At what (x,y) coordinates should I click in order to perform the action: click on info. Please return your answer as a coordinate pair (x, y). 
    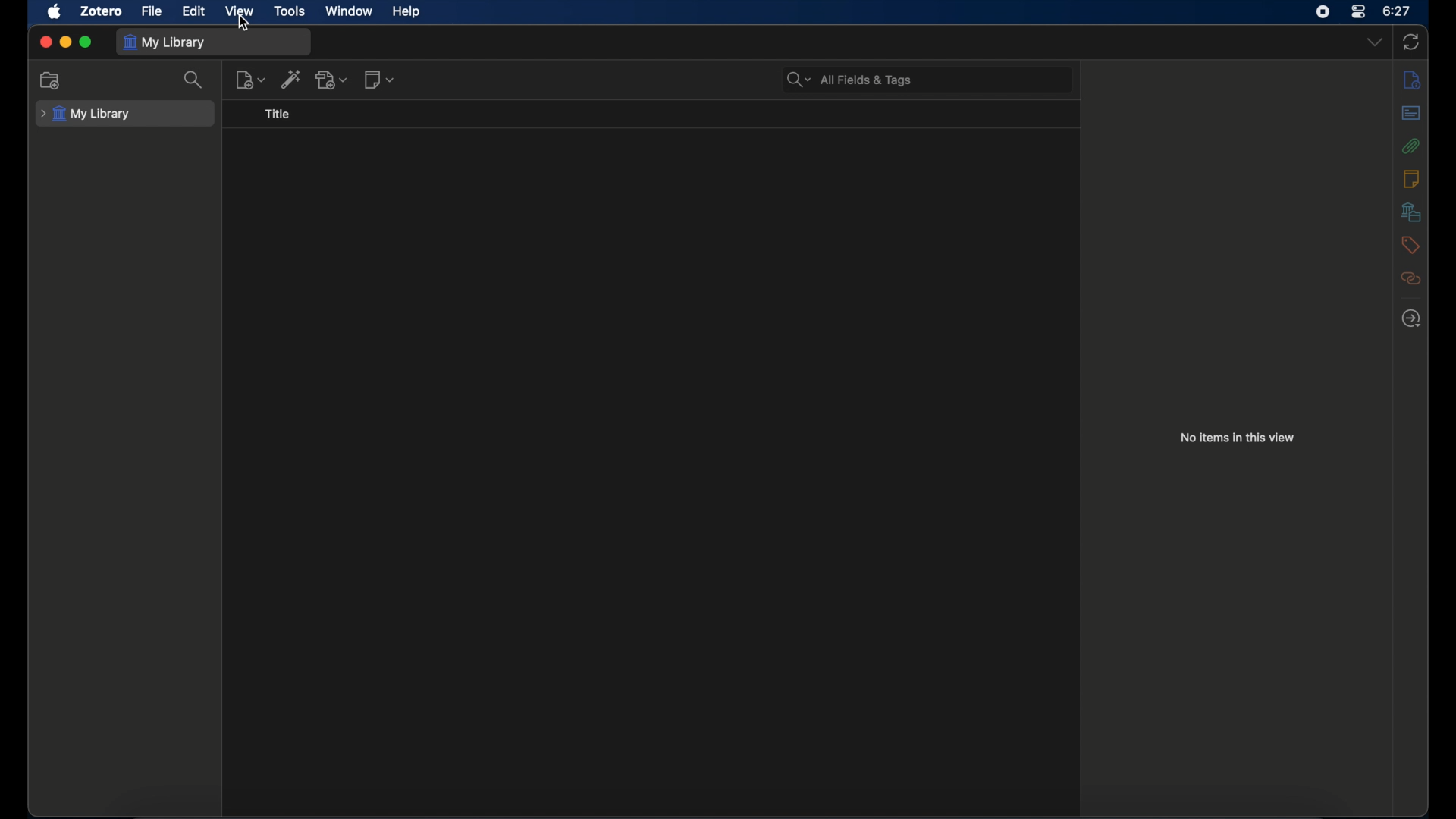
    Looking at the image, I should click on (1412, 178).